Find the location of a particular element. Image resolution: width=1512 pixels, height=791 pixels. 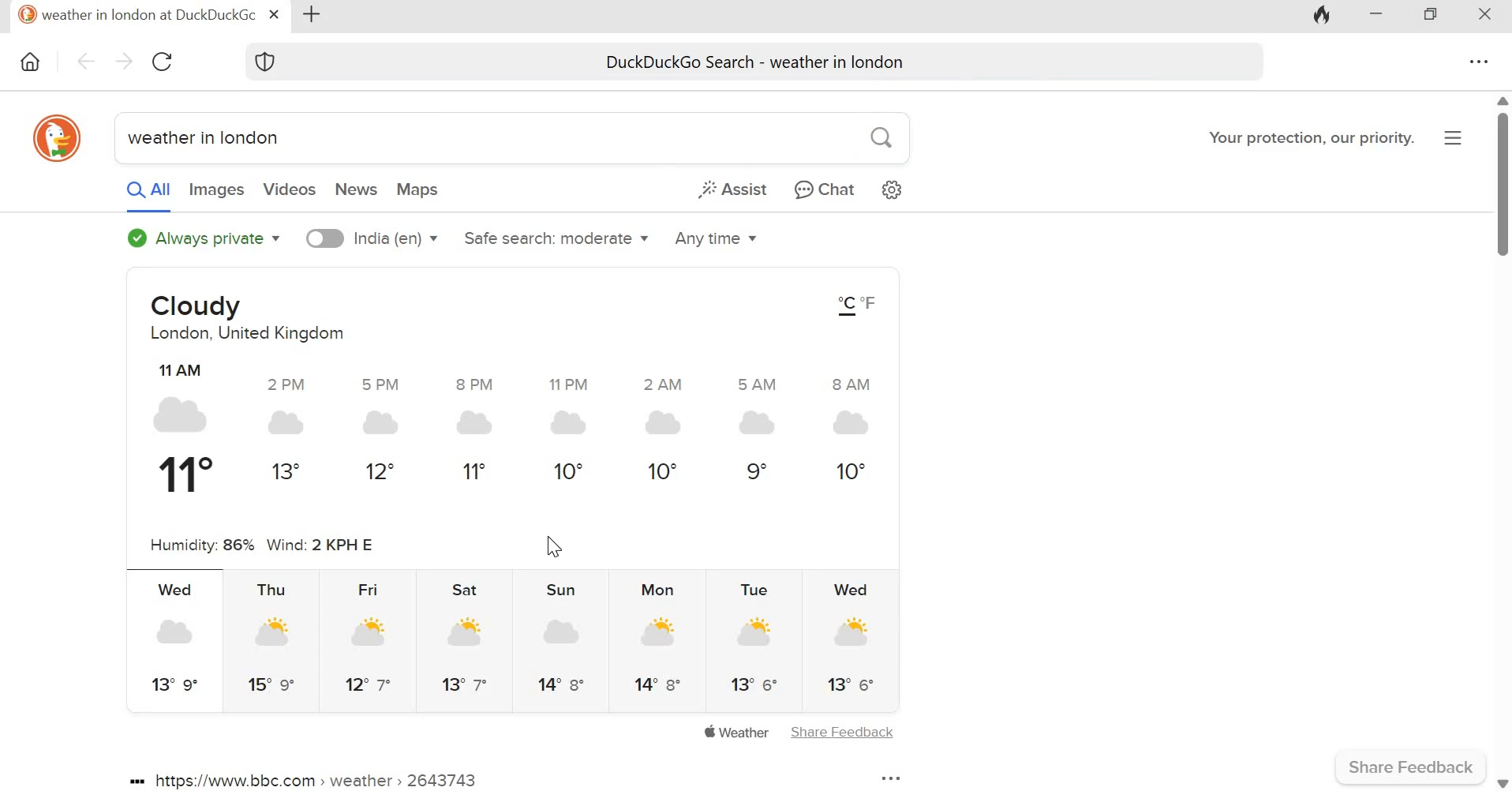

Indicates cloudy is located at coordinates (181, 414).